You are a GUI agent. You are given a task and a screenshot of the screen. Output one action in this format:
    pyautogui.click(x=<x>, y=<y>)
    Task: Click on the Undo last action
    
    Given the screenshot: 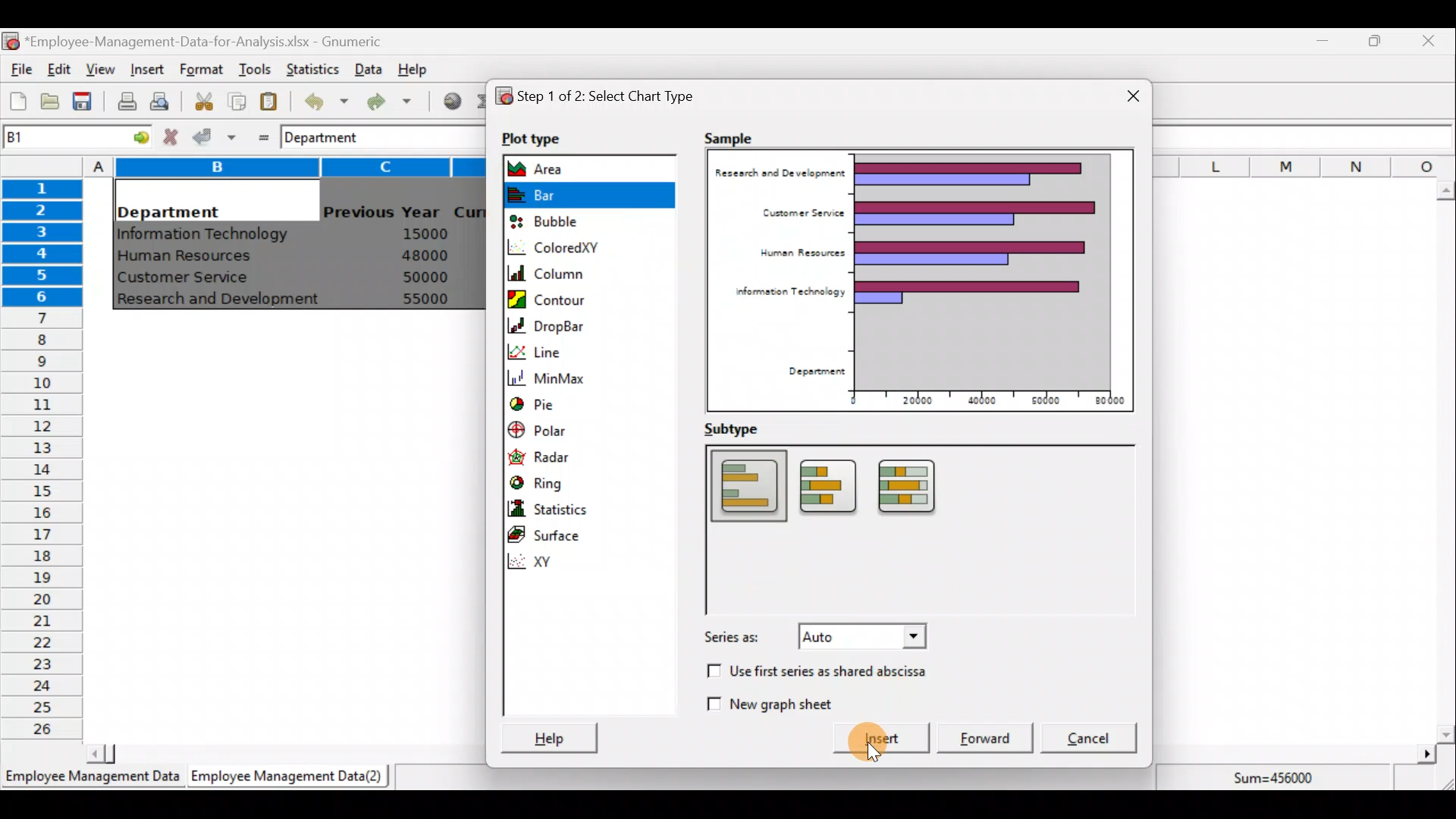 What is the action you would take?
    pyautogui.click(x=318, y=98)
    